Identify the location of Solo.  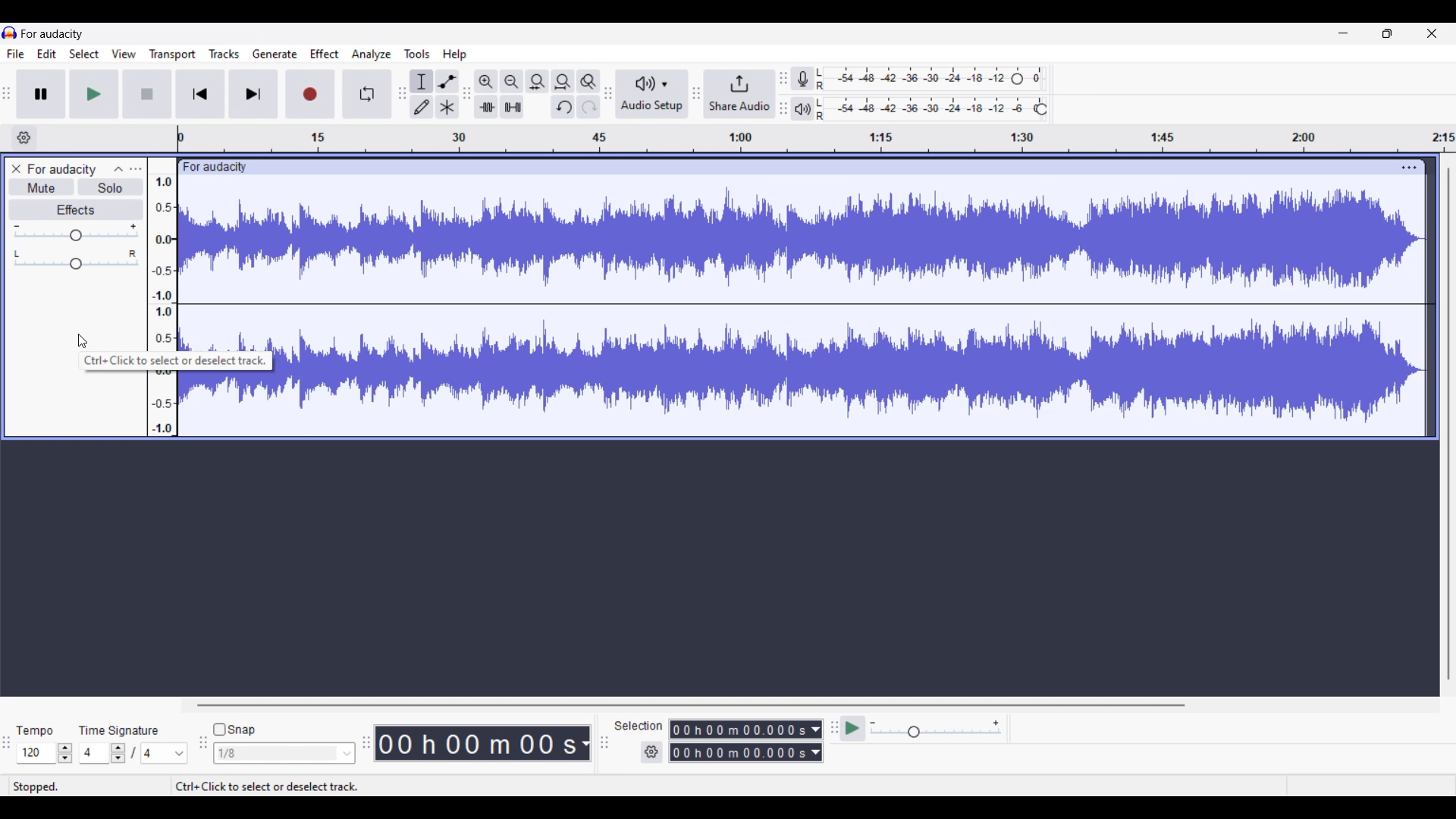
(111, 187).